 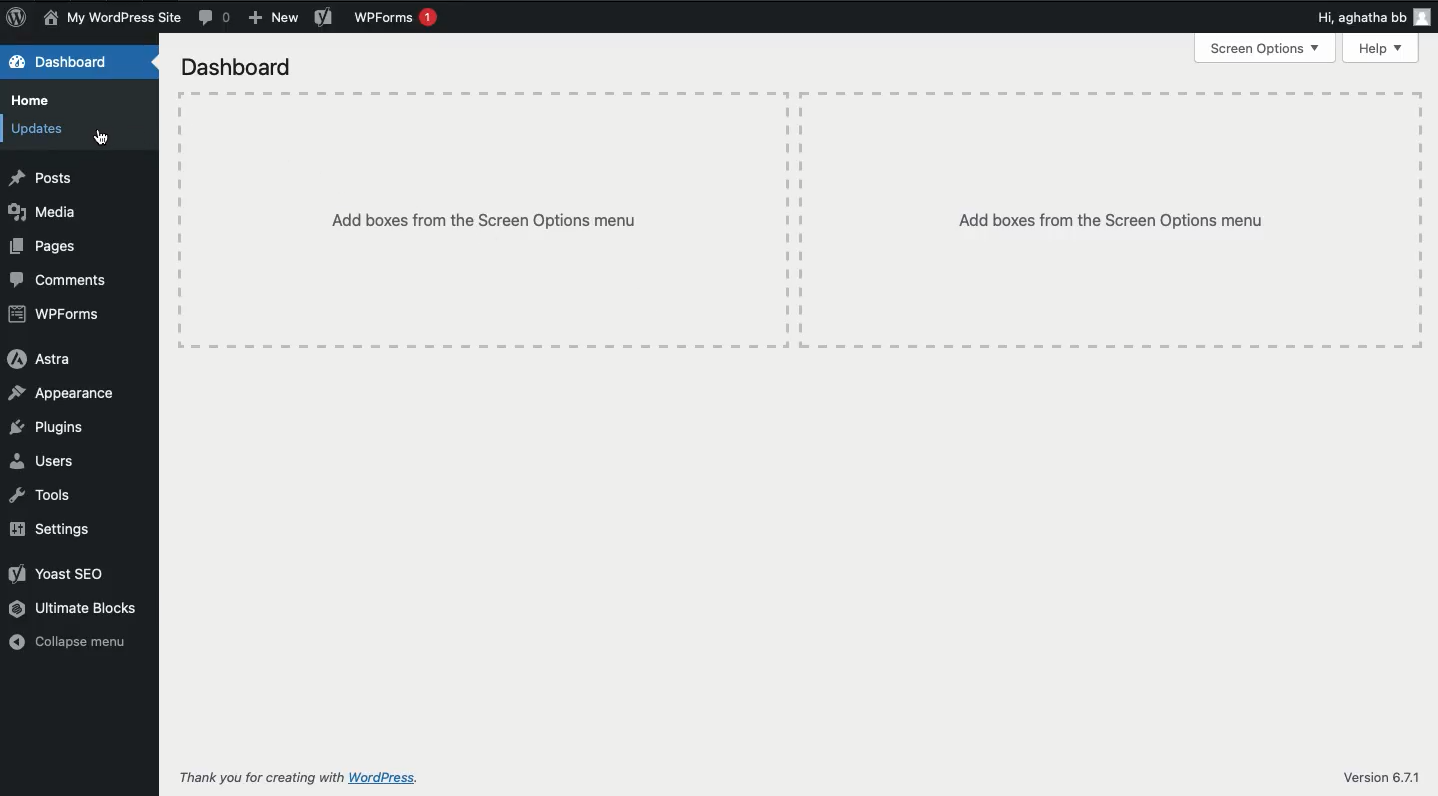 I want to click on Dashboard, so click(x=237, y=66).